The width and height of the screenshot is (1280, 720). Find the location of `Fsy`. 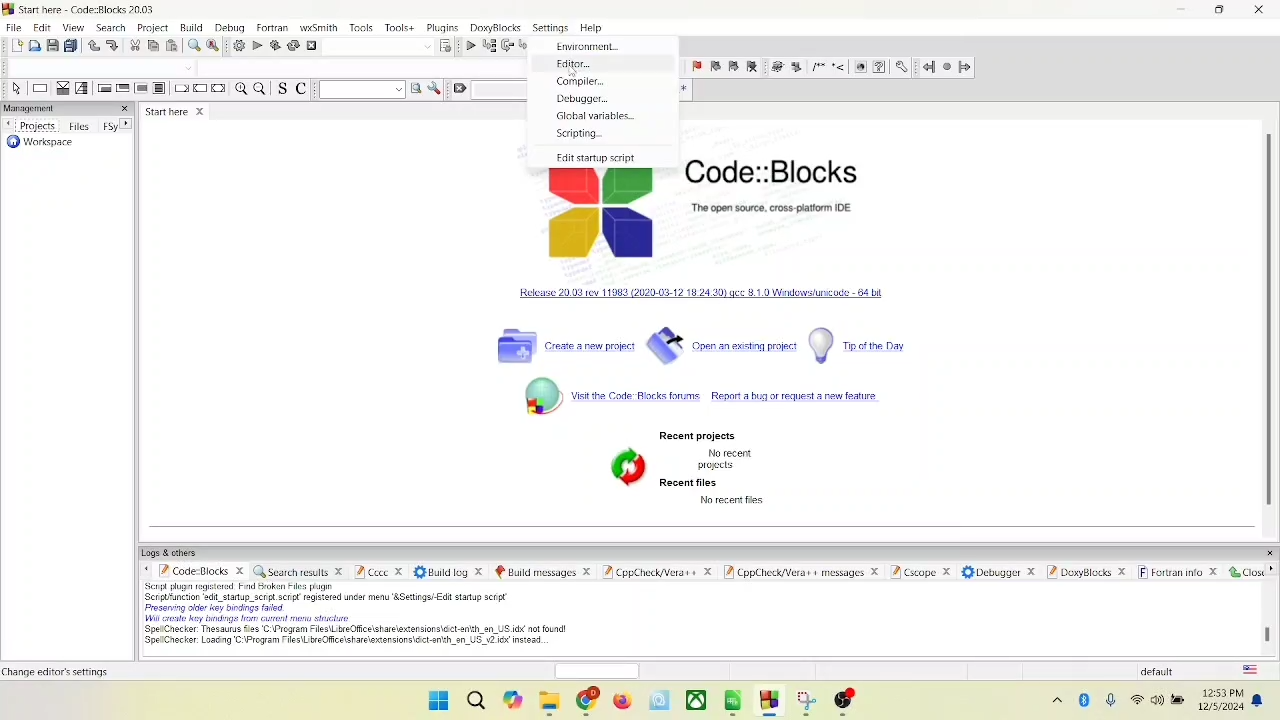

Fsy is located at coordinates (117, 126).